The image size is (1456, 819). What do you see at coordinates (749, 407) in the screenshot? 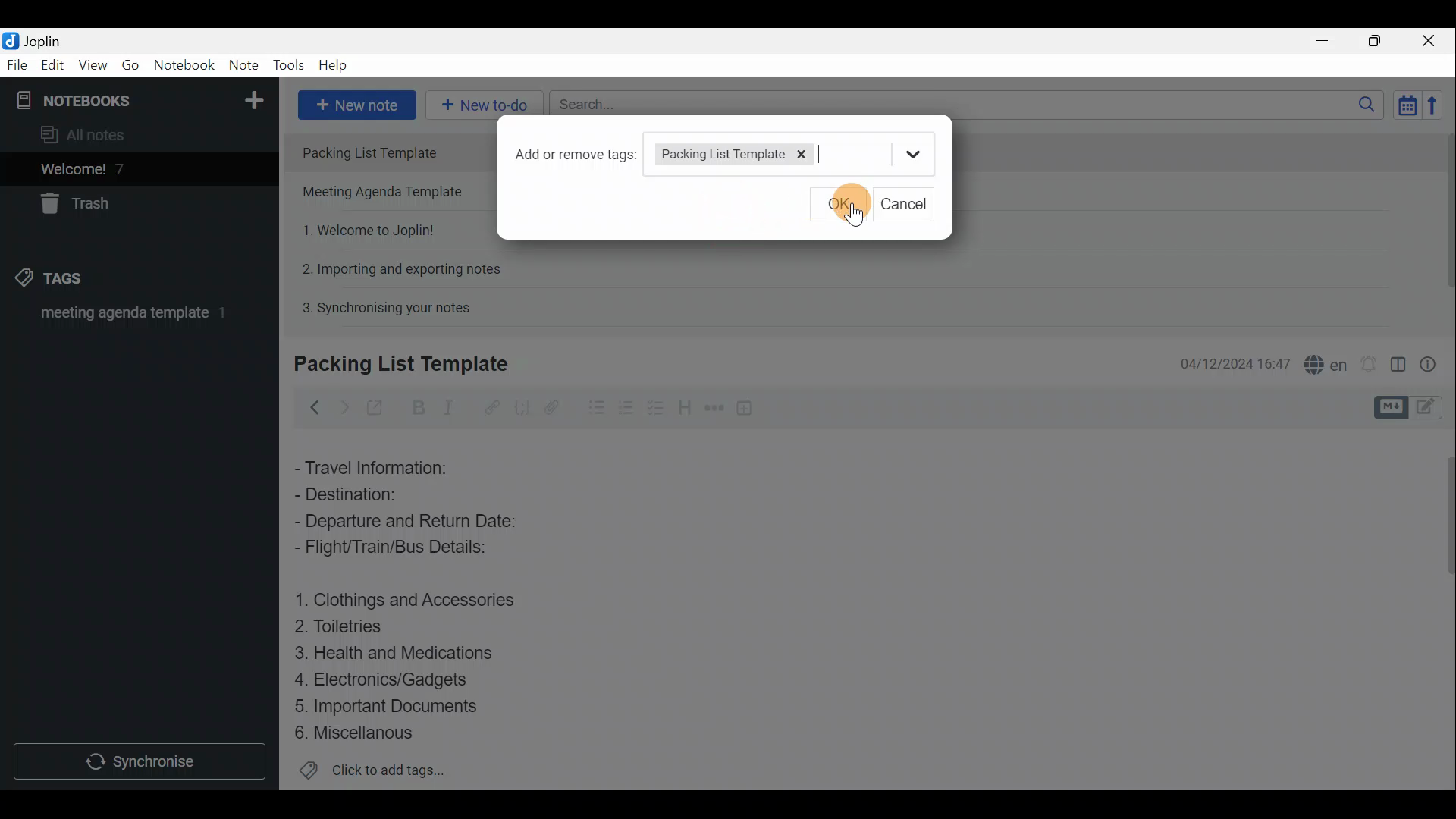
I see `Insert time` at bounding box center [749, 407].